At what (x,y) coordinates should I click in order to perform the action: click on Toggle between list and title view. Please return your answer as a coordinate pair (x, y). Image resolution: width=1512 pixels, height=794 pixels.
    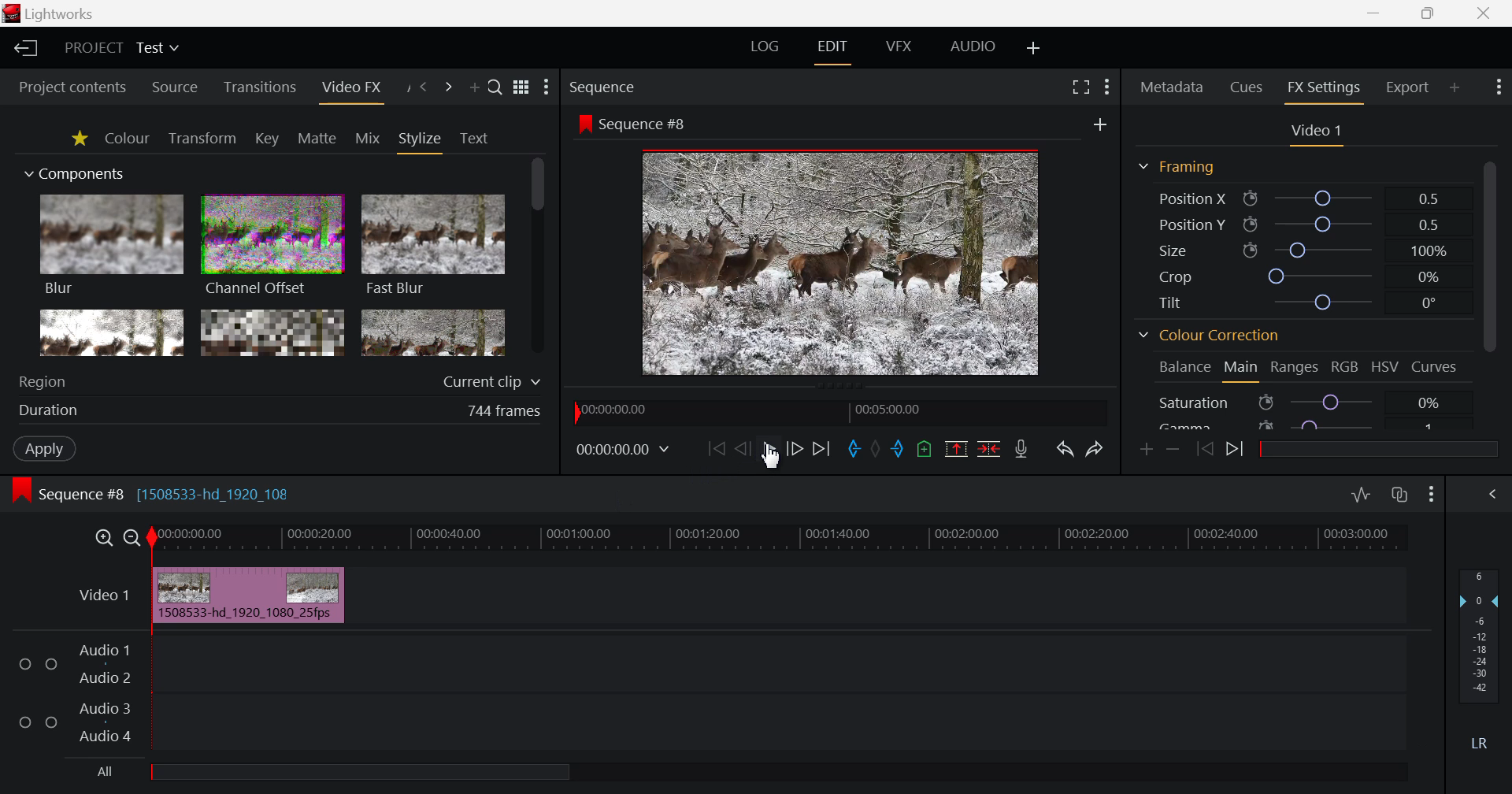
    Looking at the image, I should click on (521, 87).